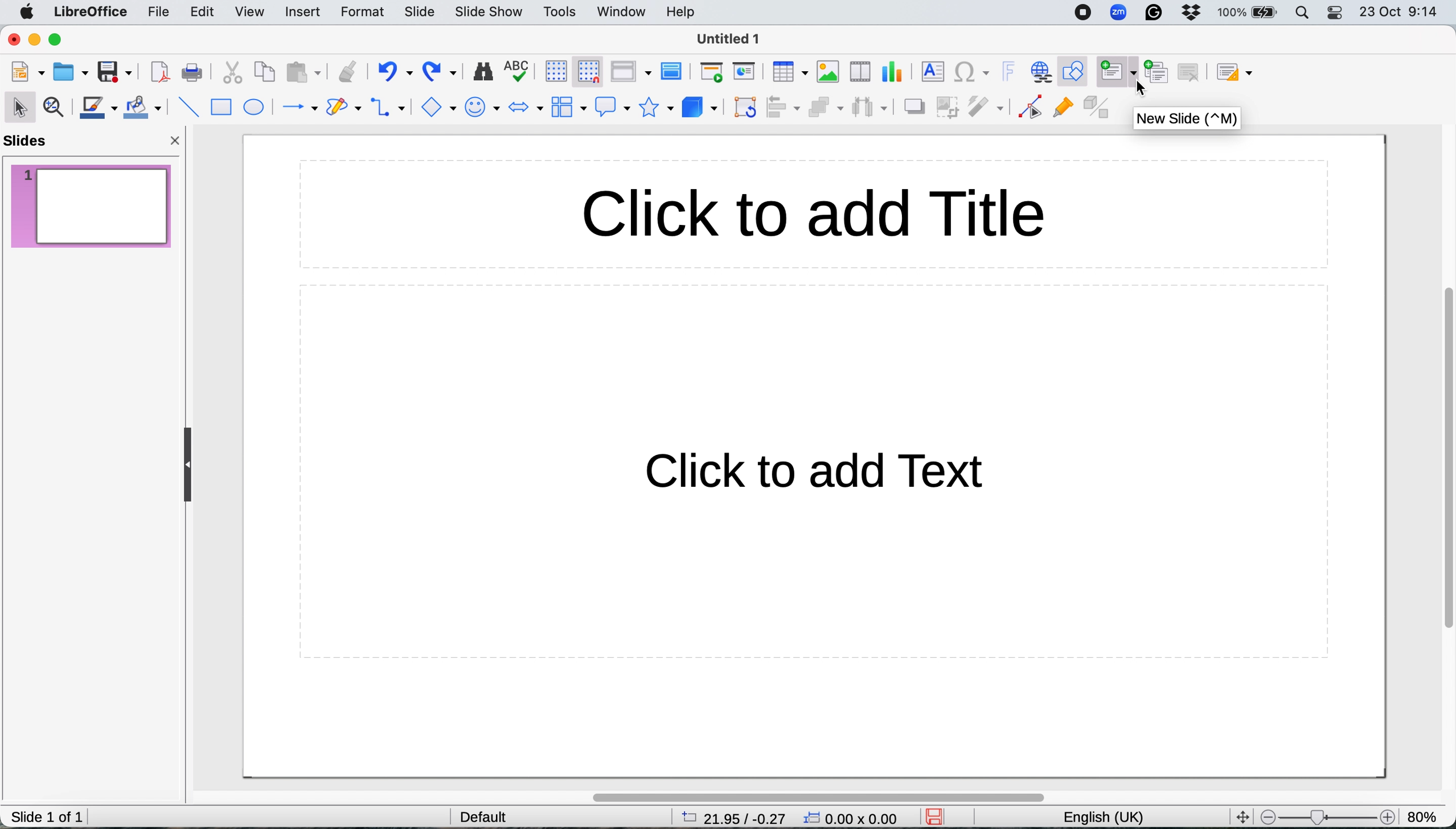 The height and width of the screenshot is (829, 1456). What do you see at coordinates (183, 466) in the screenshot?
I see `collapse` at bounding box center [183, 466].